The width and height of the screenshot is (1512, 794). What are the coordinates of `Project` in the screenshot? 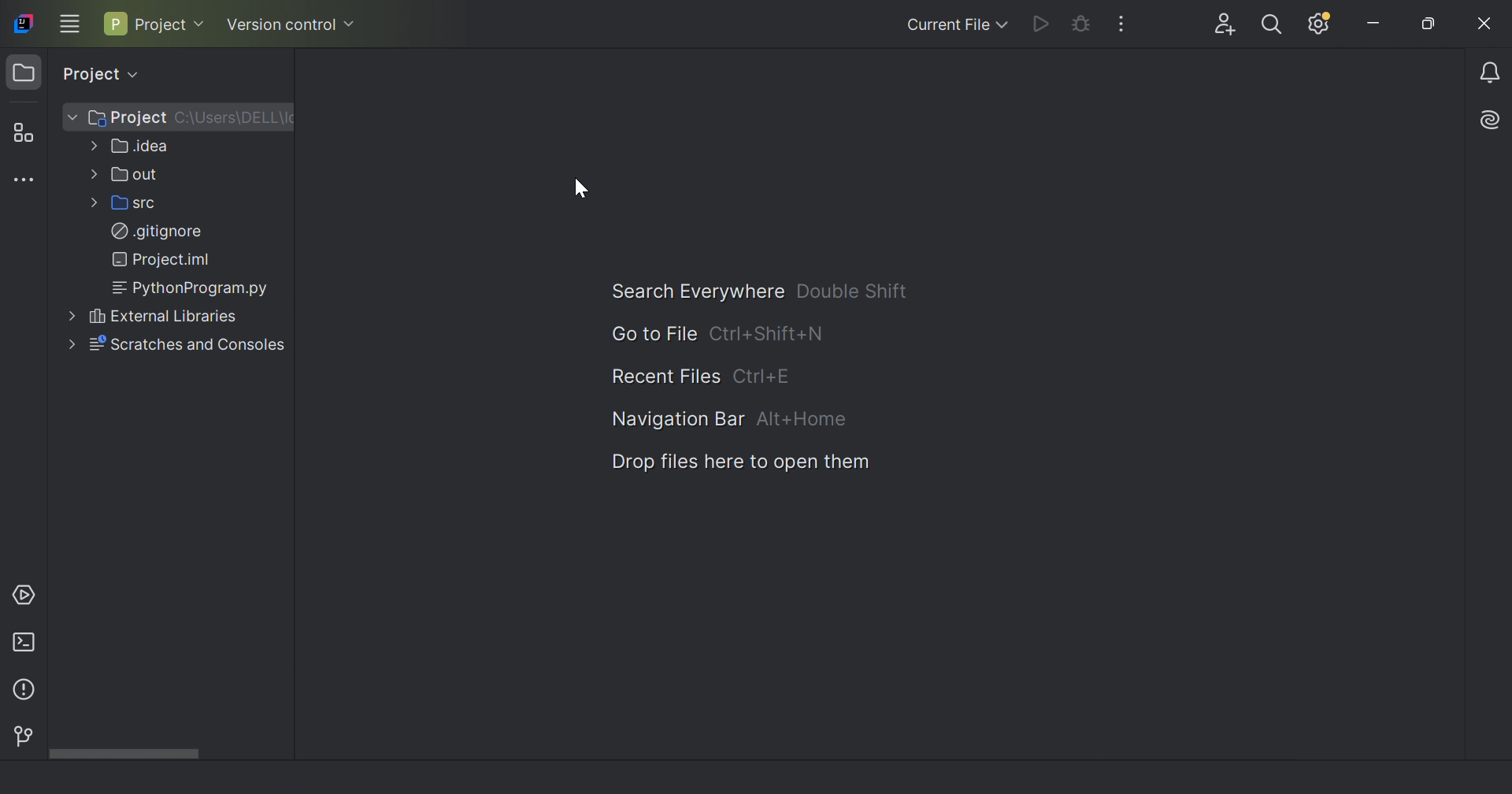 It's located at (155, 24).